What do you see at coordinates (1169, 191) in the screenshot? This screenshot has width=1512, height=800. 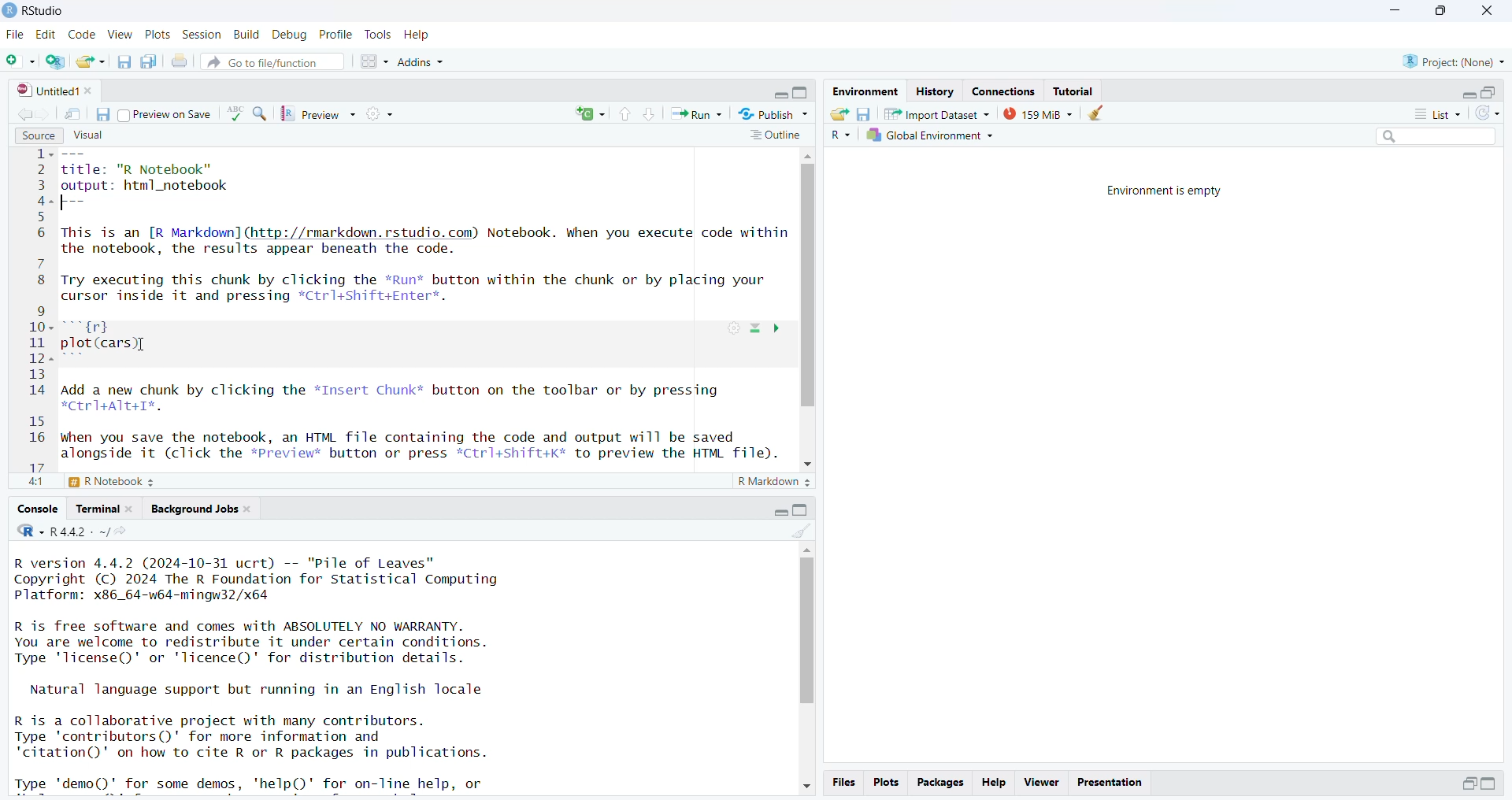 I see `Environment is empty` at bounding box center [1169, 191].